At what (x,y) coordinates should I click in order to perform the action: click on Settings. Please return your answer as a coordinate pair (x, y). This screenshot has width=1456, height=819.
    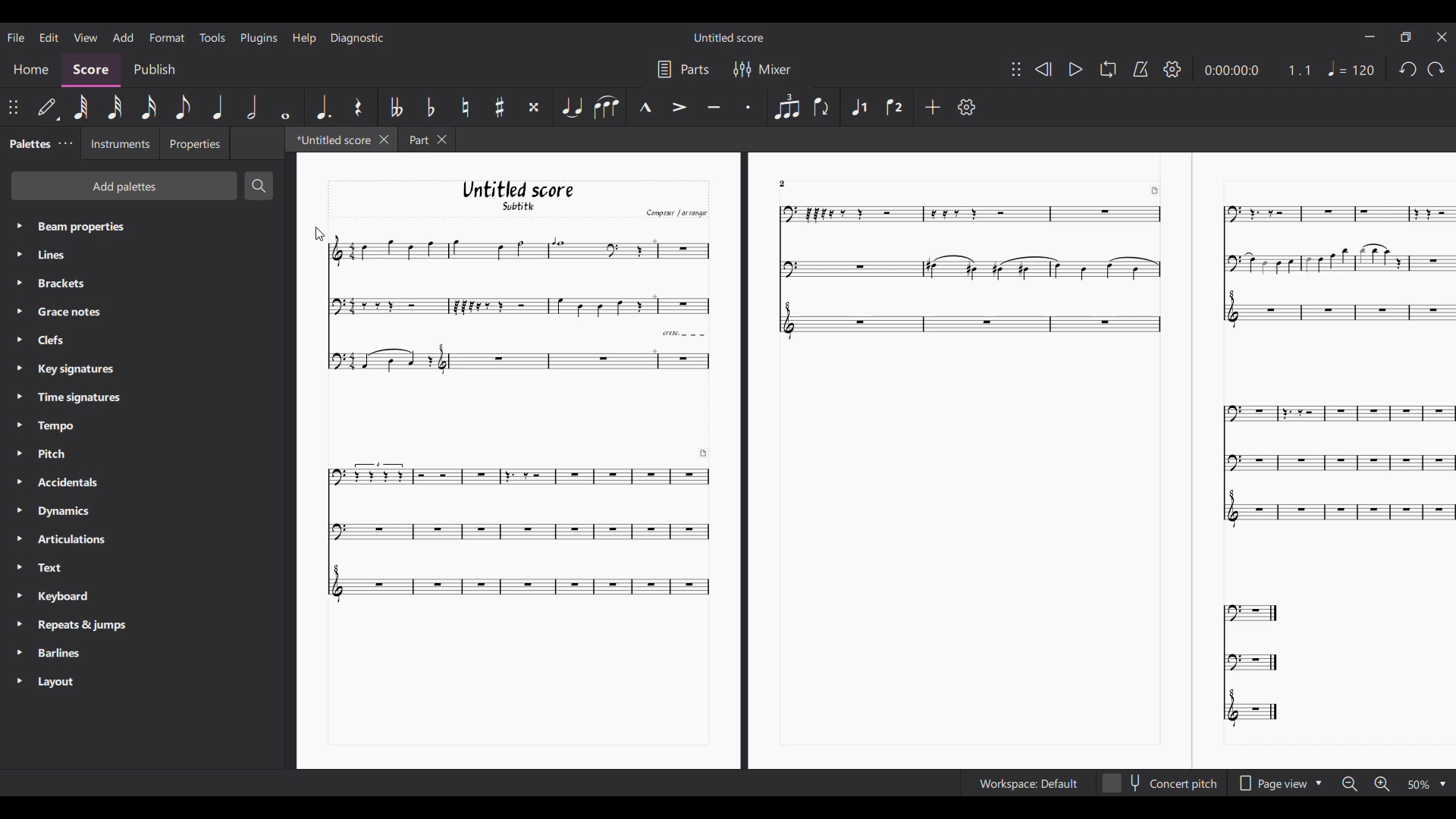
    Looking at the image, I should click on (1173, 69).